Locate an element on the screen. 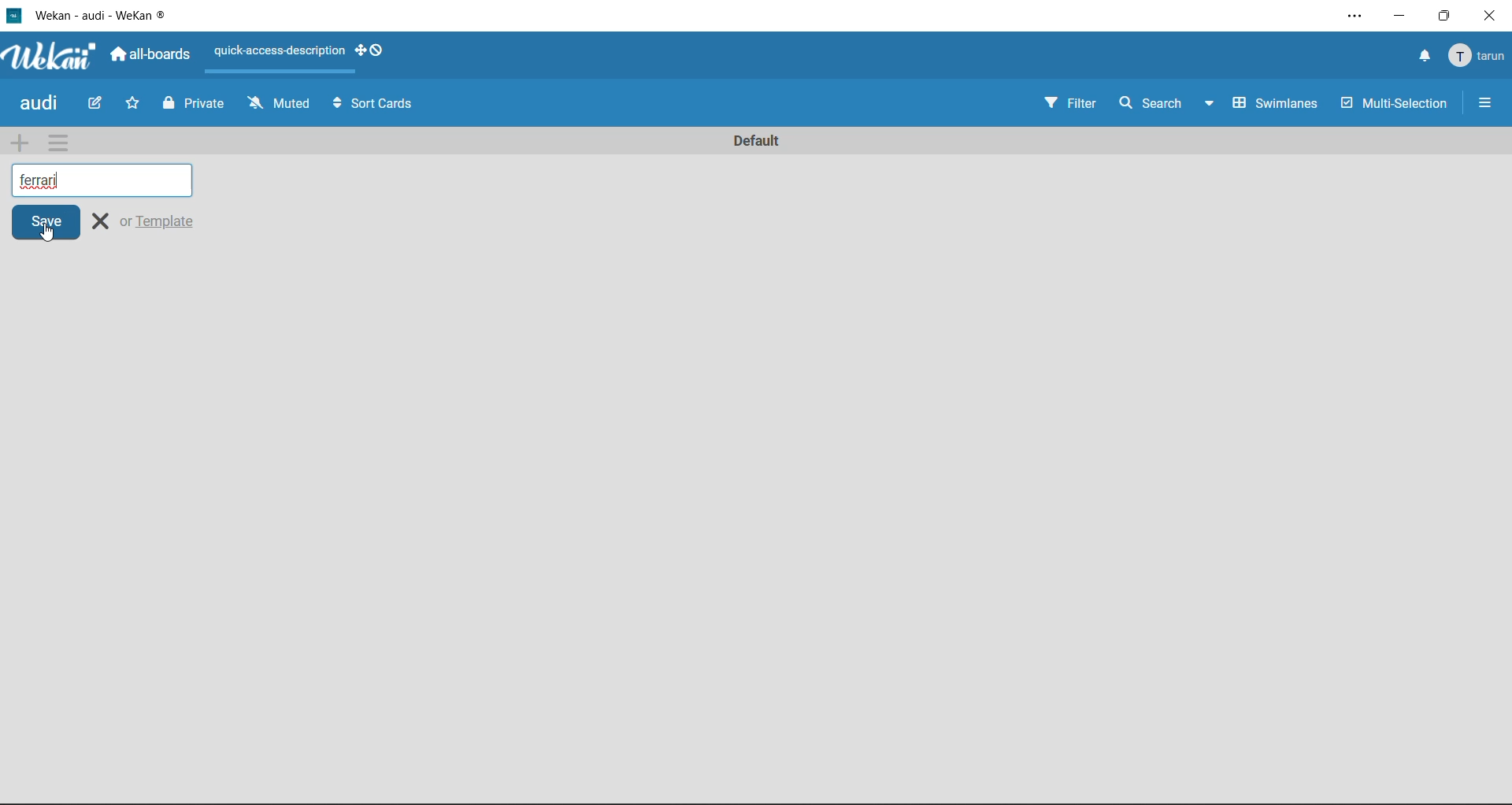  search is located at coordinates (1148, 101).